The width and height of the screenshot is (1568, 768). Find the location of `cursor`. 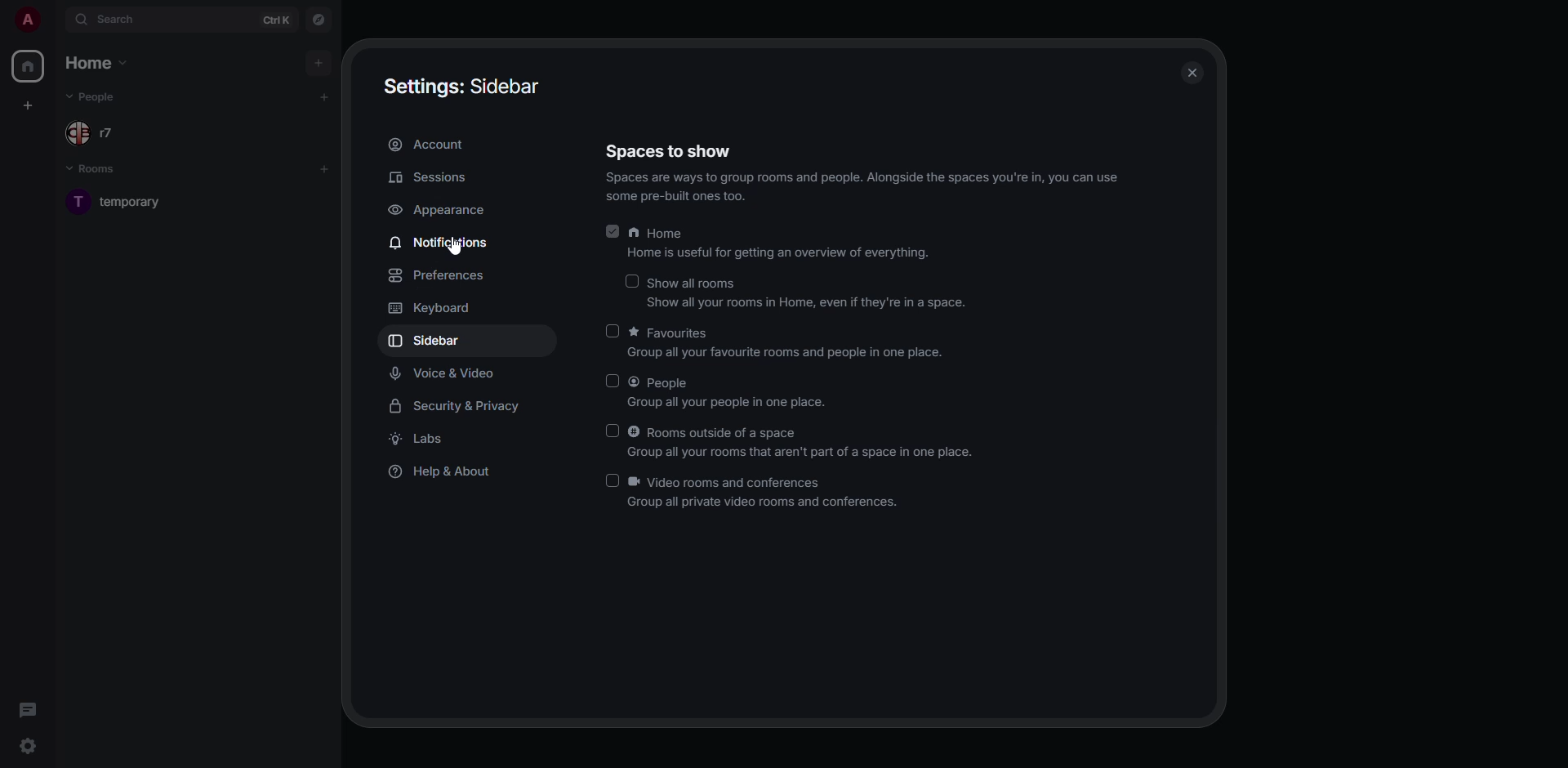

cursor is located at coordinates (457, 248).